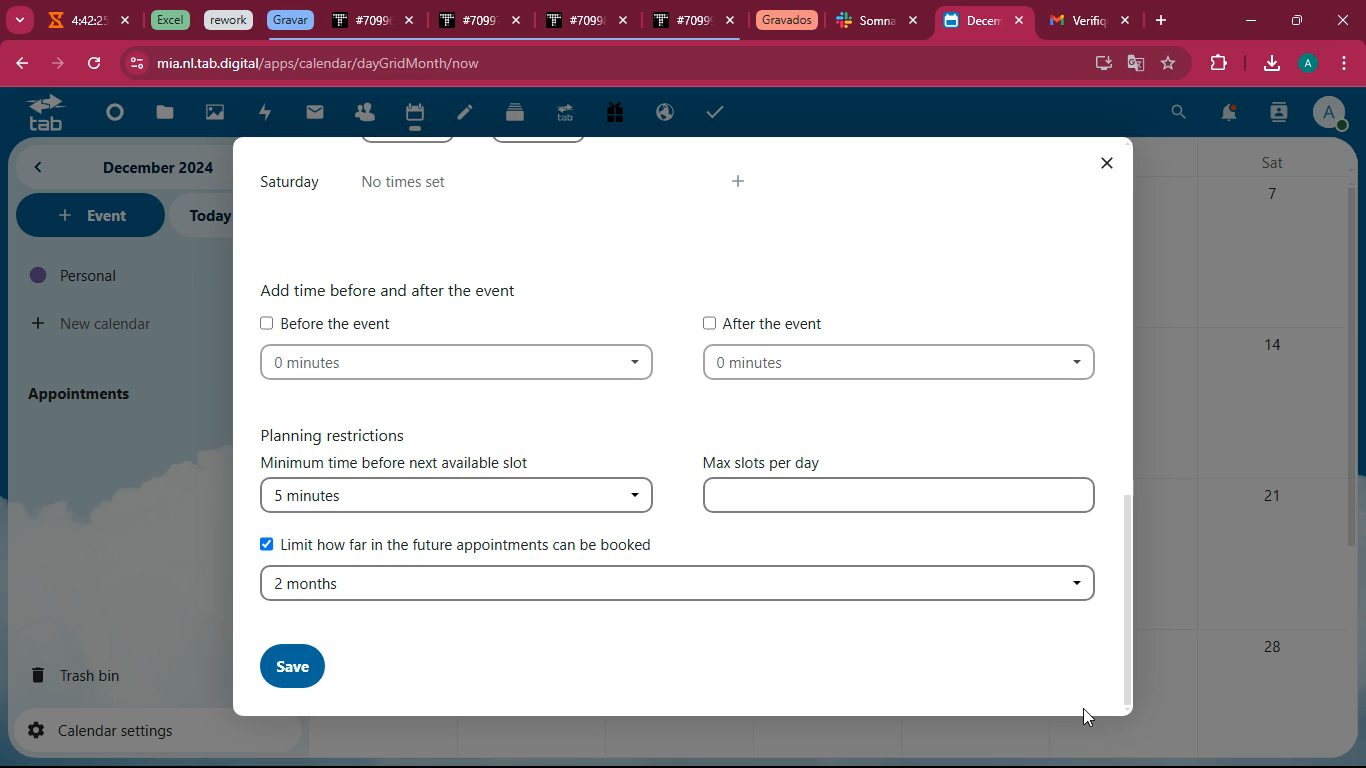  I want to click on desktop, so click(1100, 61).